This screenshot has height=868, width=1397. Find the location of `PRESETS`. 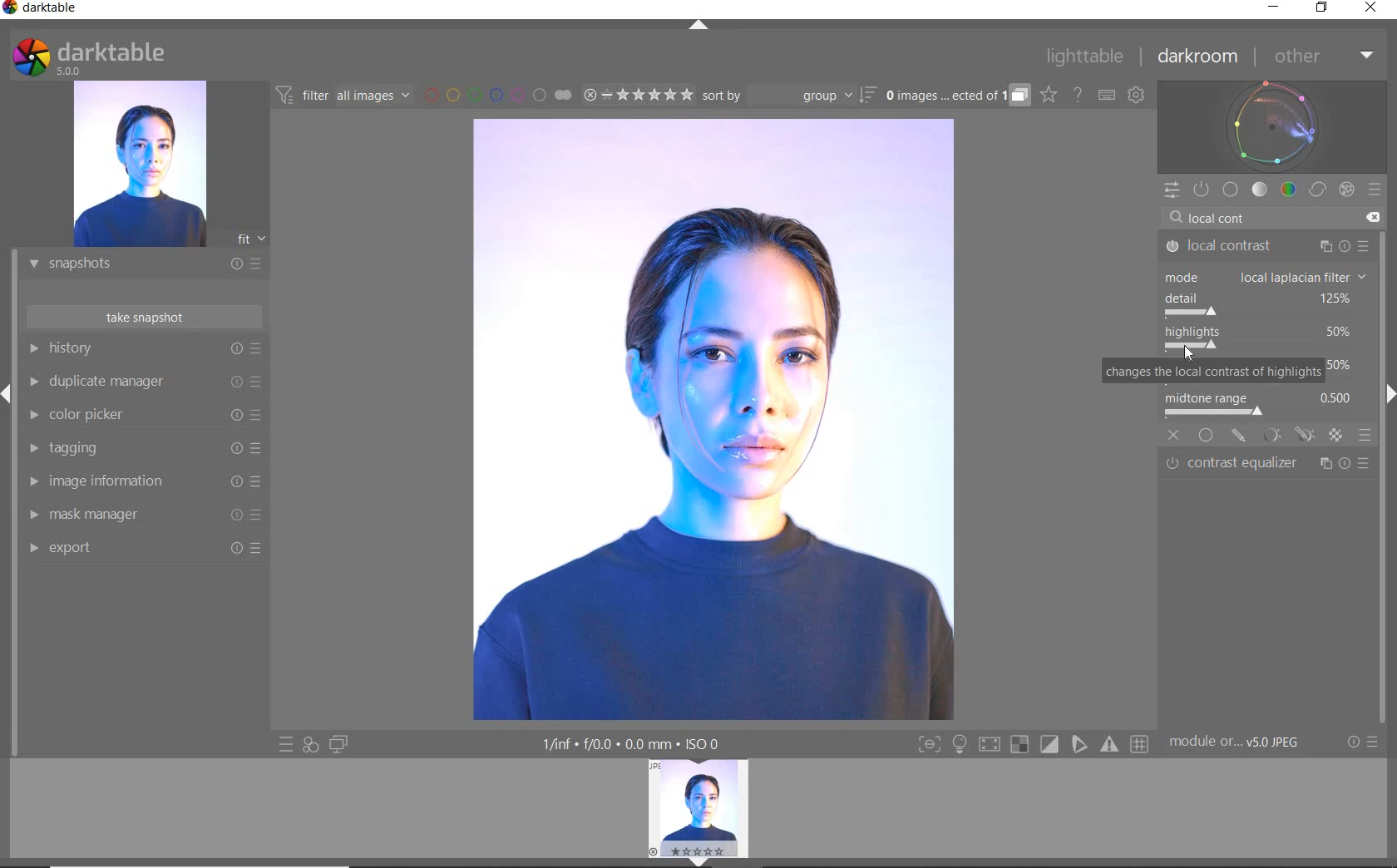

PRESETS is located at coordinates (1375, 189).